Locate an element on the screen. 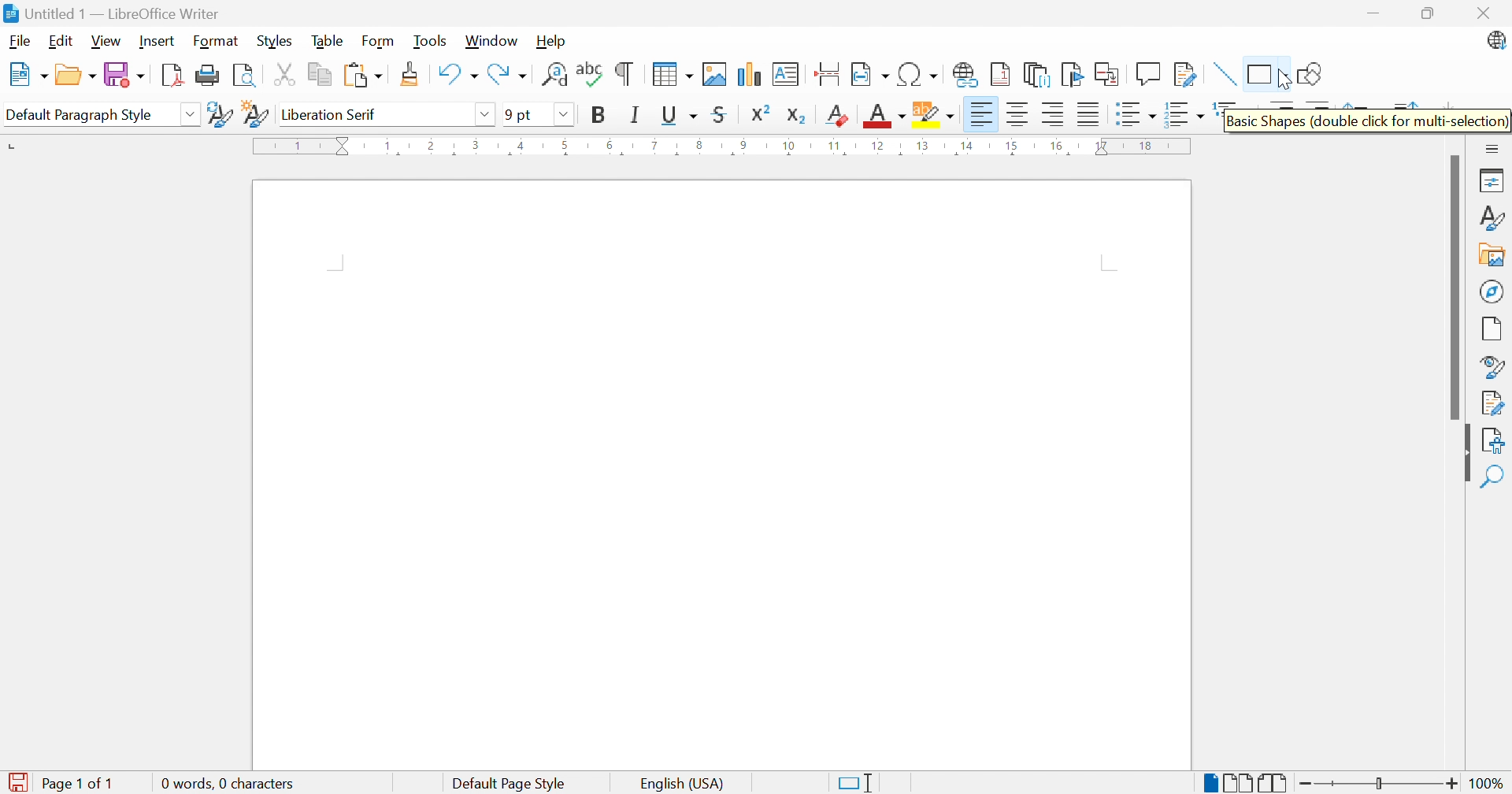 This screenshot has width=1512, height=794. Export as PDF is located at coordinates (171, 76).